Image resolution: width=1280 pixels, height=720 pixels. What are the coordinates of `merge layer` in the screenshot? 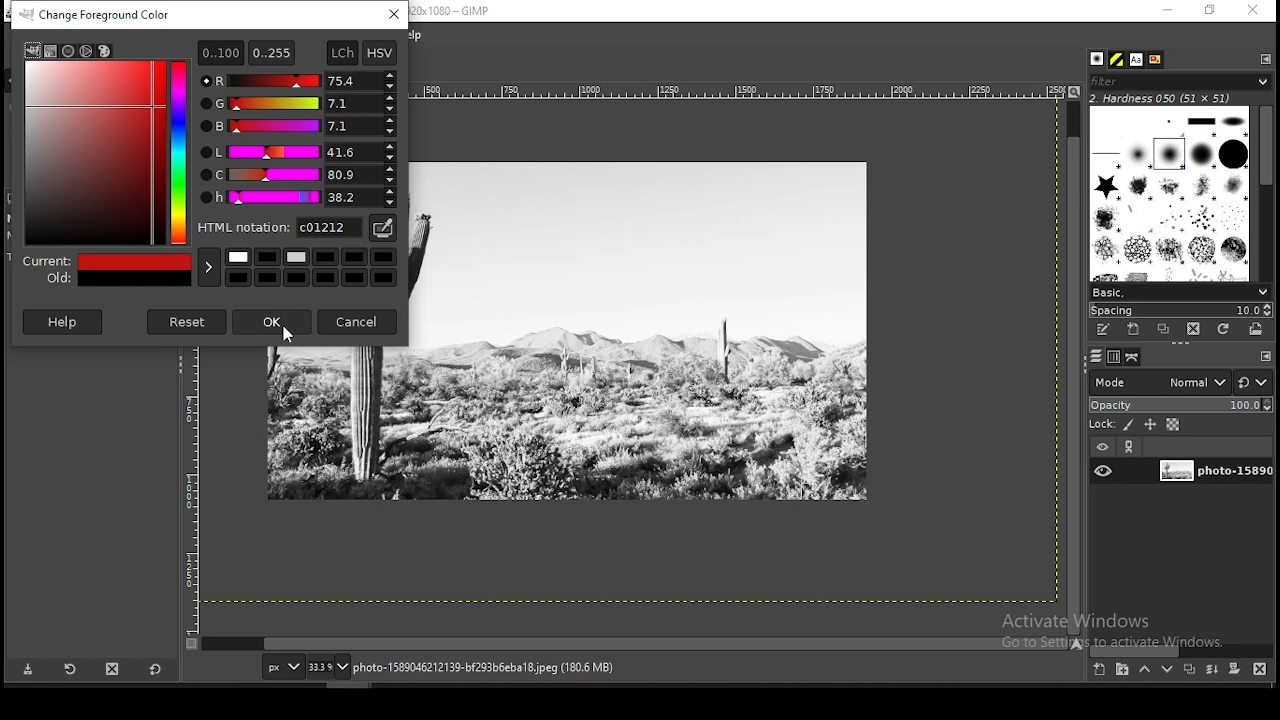 It's located at (1214, 669).